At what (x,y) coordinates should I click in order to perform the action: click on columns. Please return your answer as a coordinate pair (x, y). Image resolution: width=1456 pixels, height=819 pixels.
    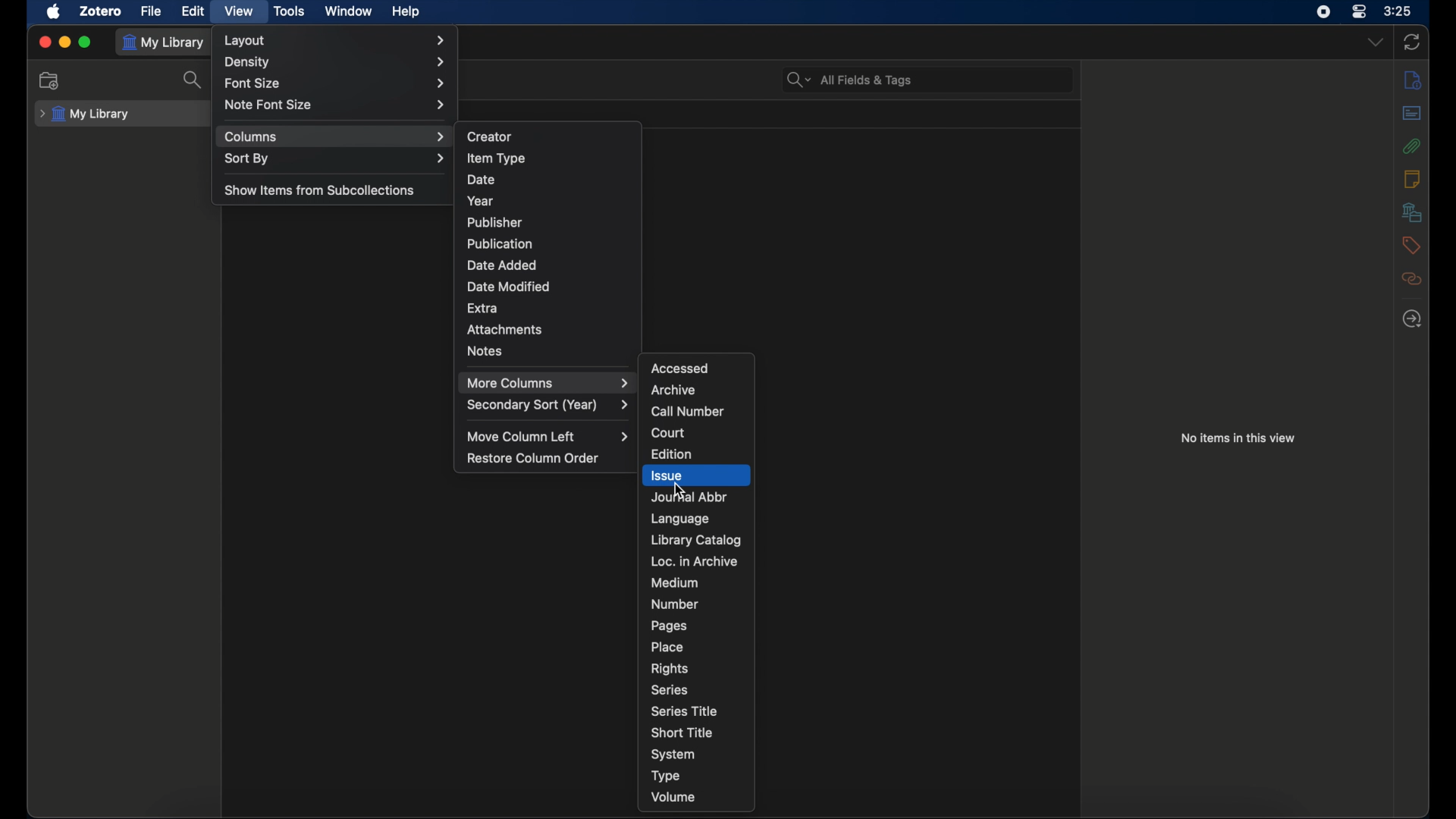
    Looking at the image, I should click on (335, 136).